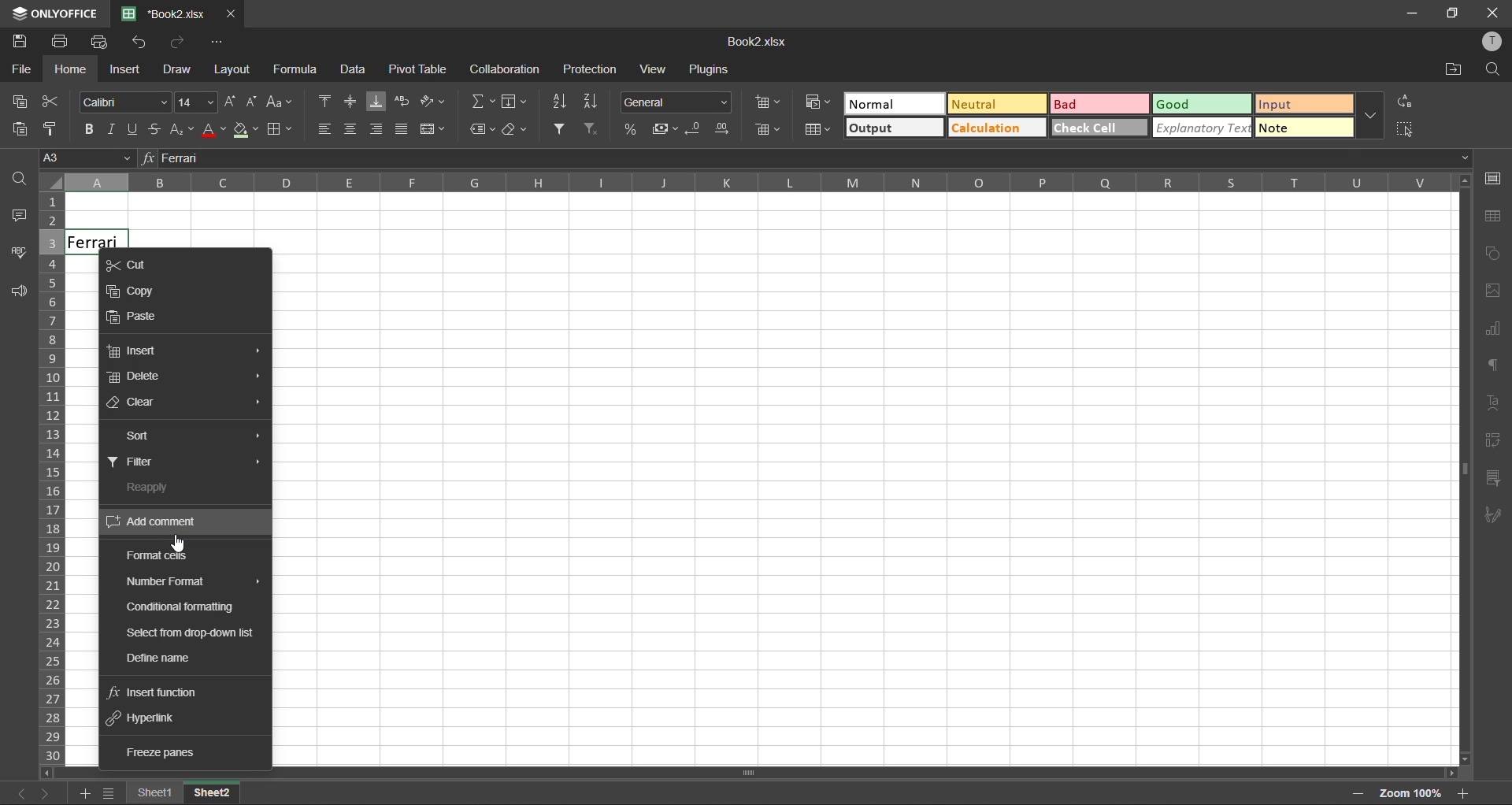 Image resolution: width=1512 pixels, height=805 pixels. I want to click on select from drop down list, so click(189, 633).